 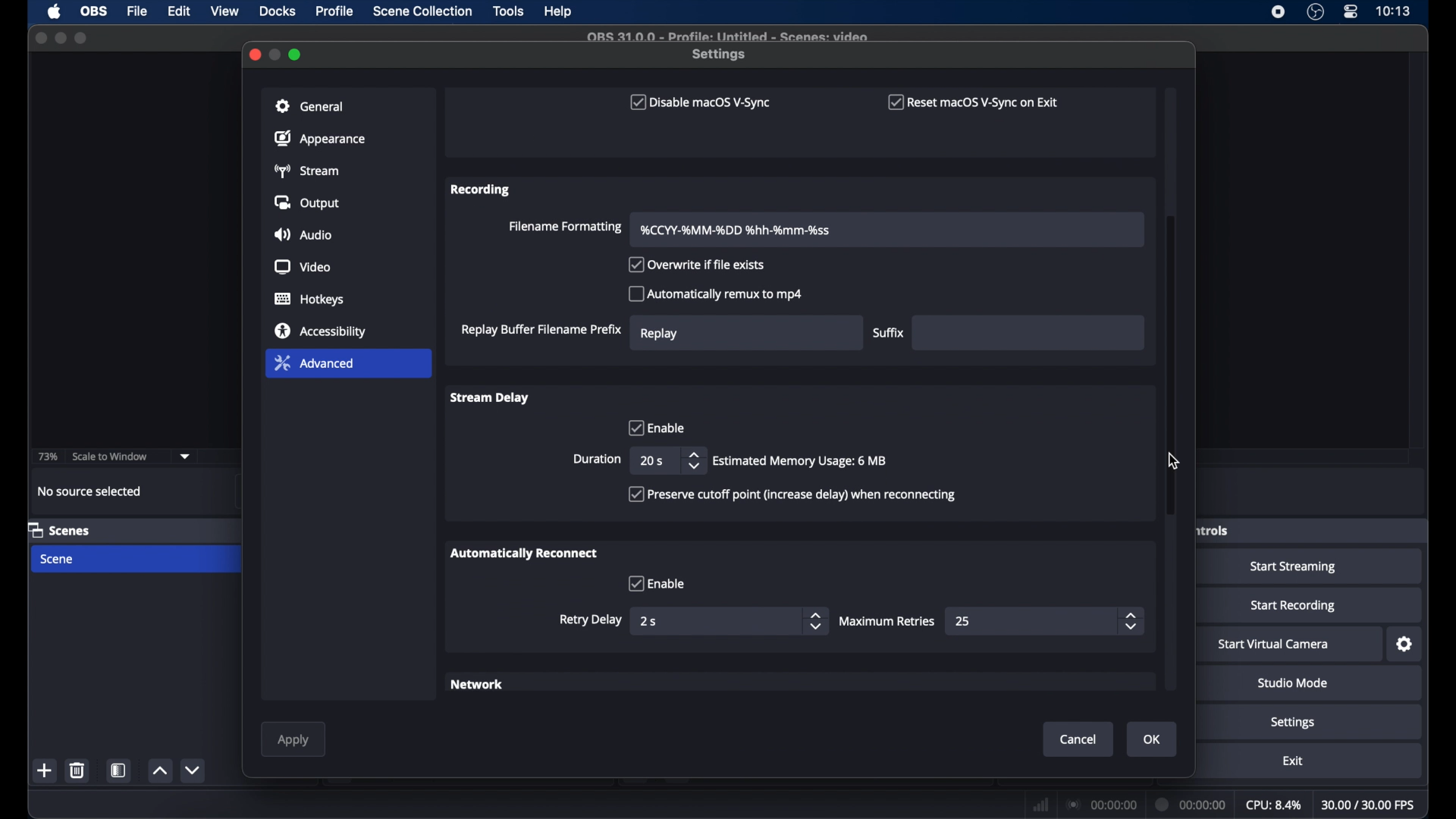 I want to click on no source selected, so click(x=90, y=491).